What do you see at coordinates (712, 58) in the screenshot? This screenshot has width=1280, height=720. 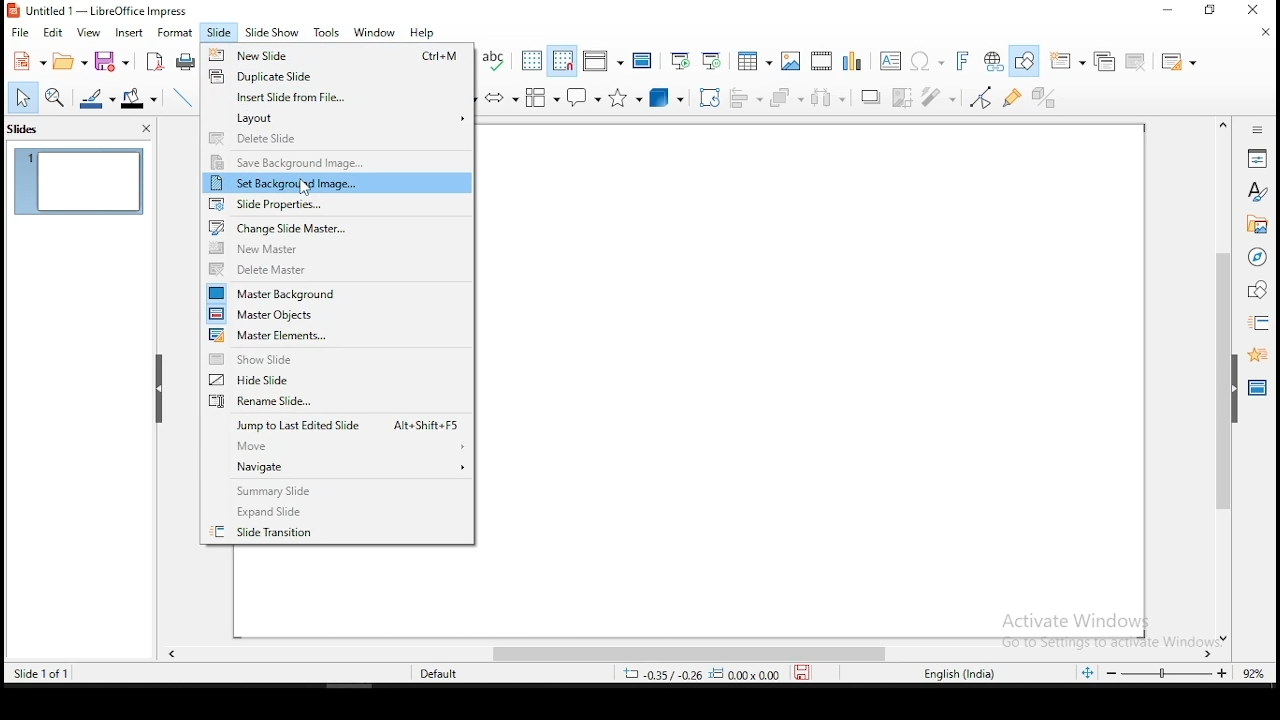 I see `start from current slide` at bounding box center [712, 58].